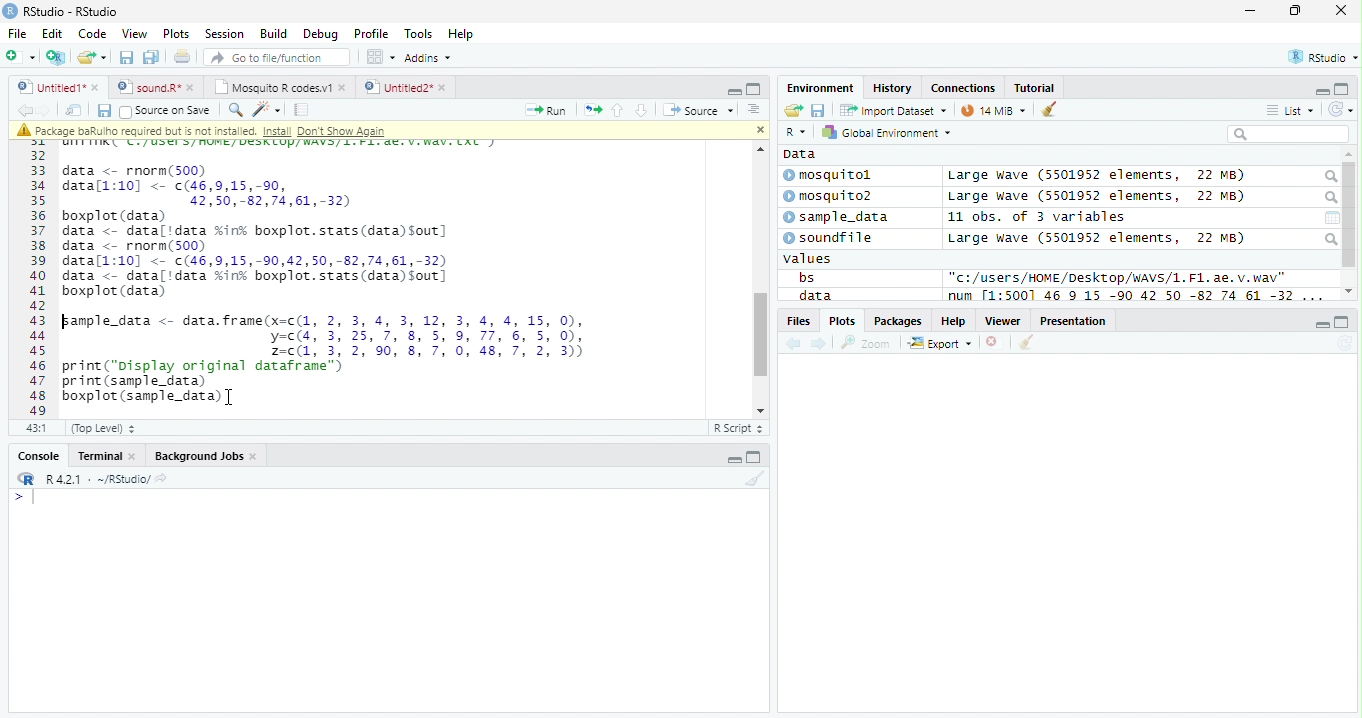 This screenshot has width=1362, height=718. What do you see at coordinates (224, 33) in the screenshot?
I see `Session` at bounding box center [224, 33].